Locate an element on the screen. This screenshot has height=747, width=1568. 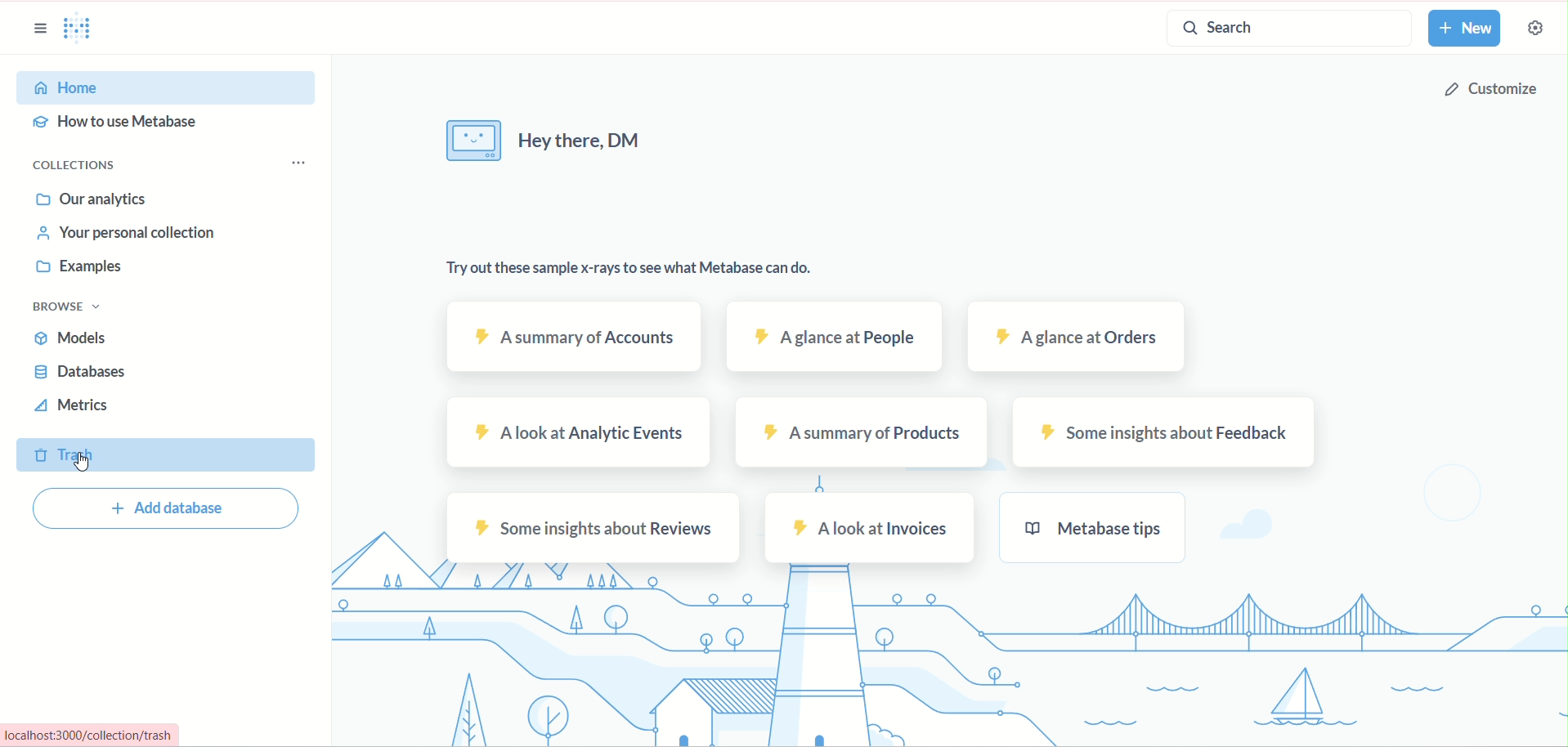
Hey there,DM is located at coordinates (544, 139).